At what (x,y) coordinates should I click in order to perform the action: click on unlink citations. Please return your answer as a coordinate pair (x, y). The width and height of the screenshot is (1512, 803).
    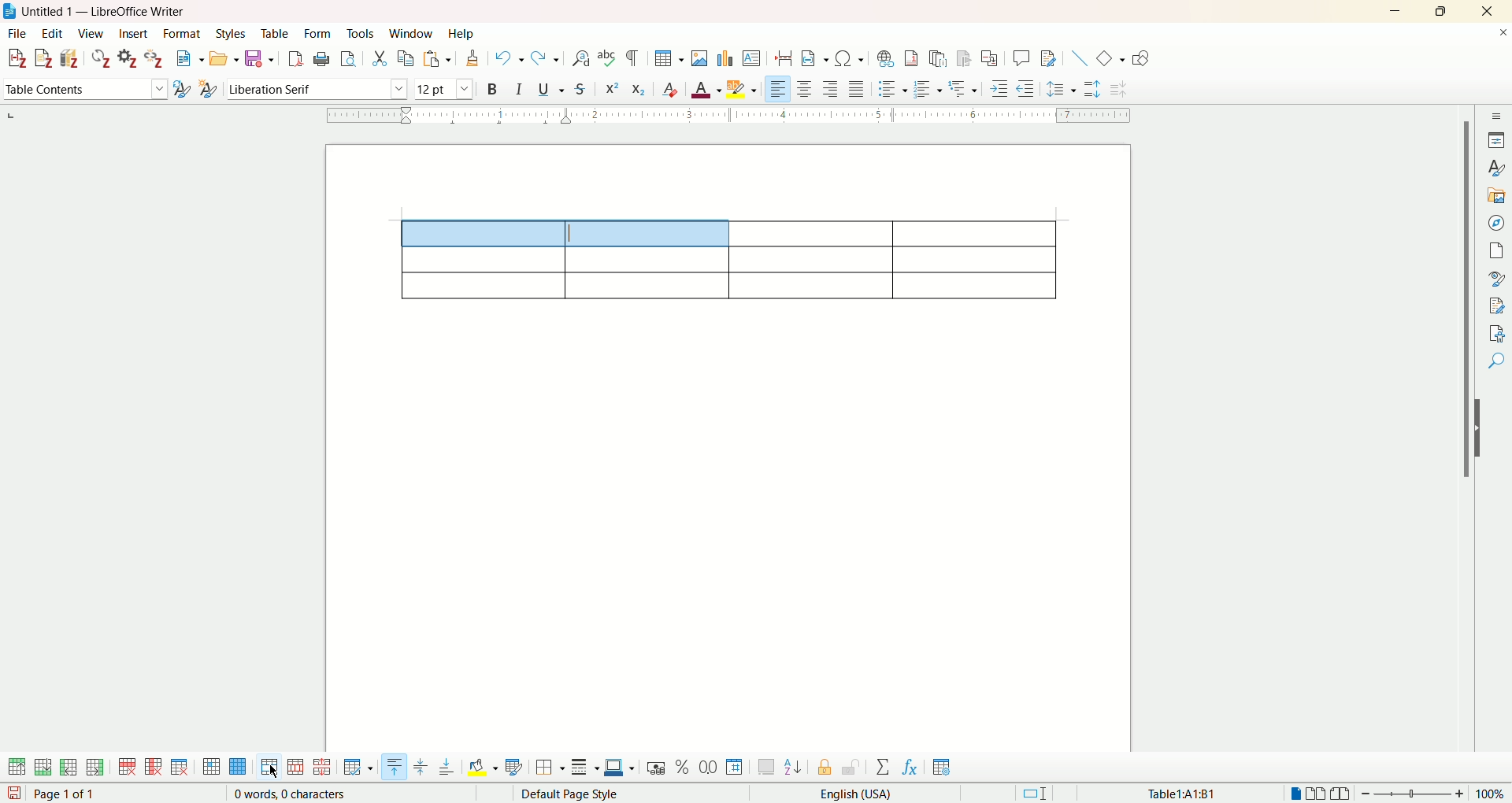
    Looking at the image, I should click on (154, 58).